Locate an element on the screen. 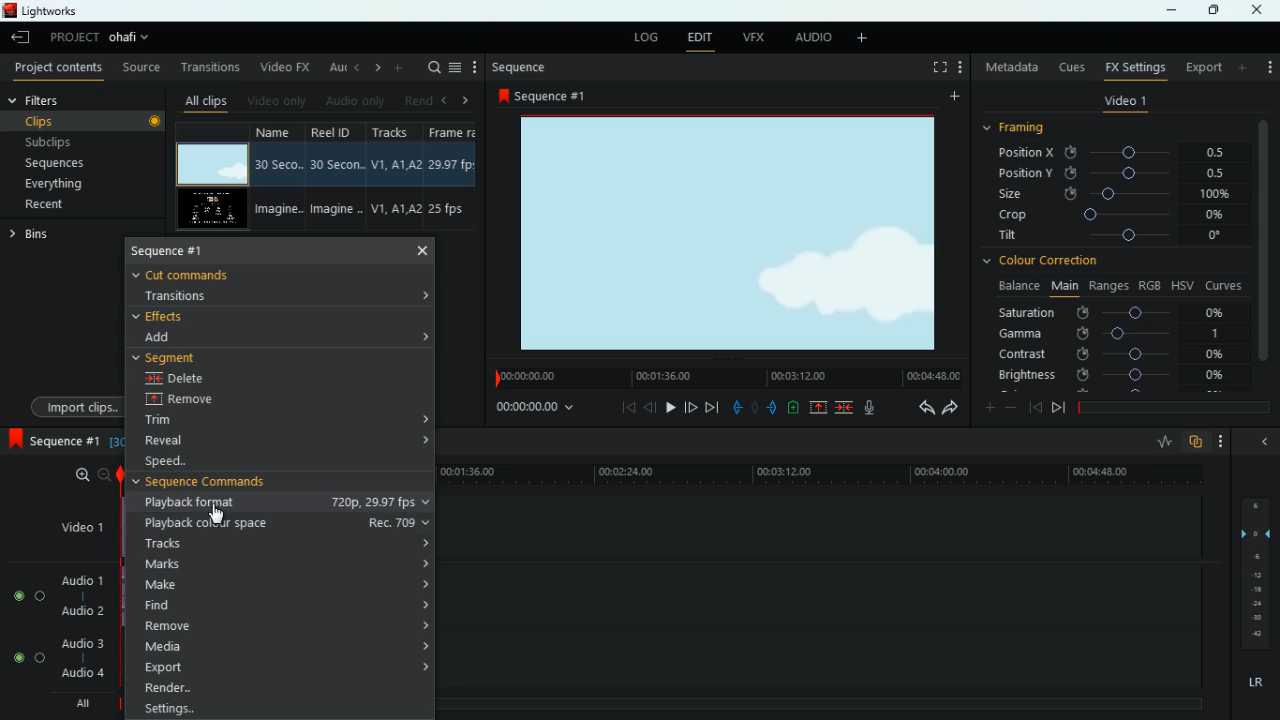 This screenshot has width=1280, height=720. screen is located at coordinates (734, 235).